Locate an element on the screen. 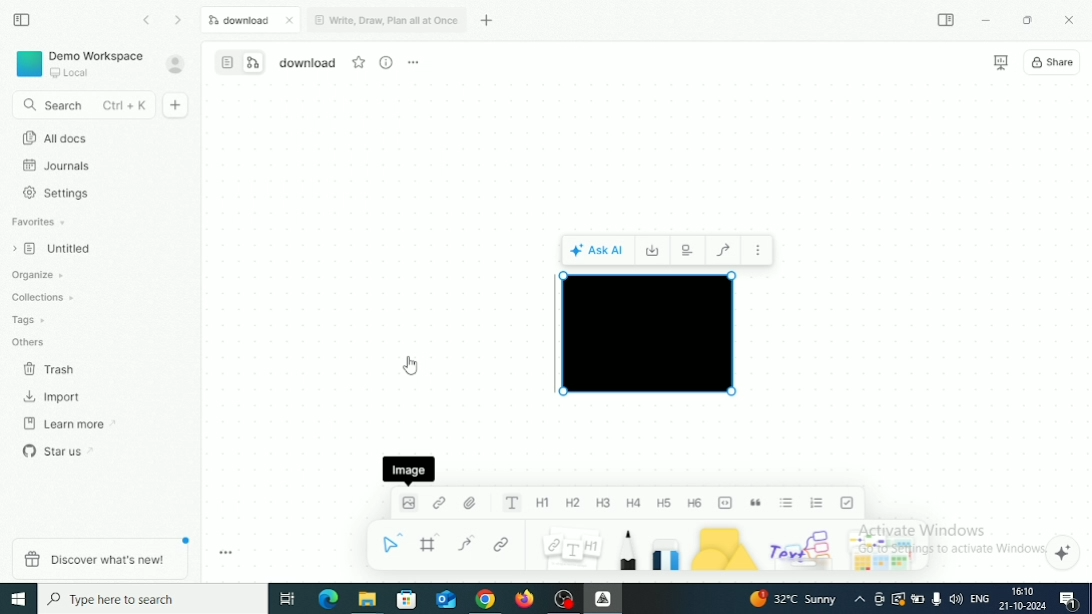 The image size is (1092, 614). Account is located at coordinates (175, 65).